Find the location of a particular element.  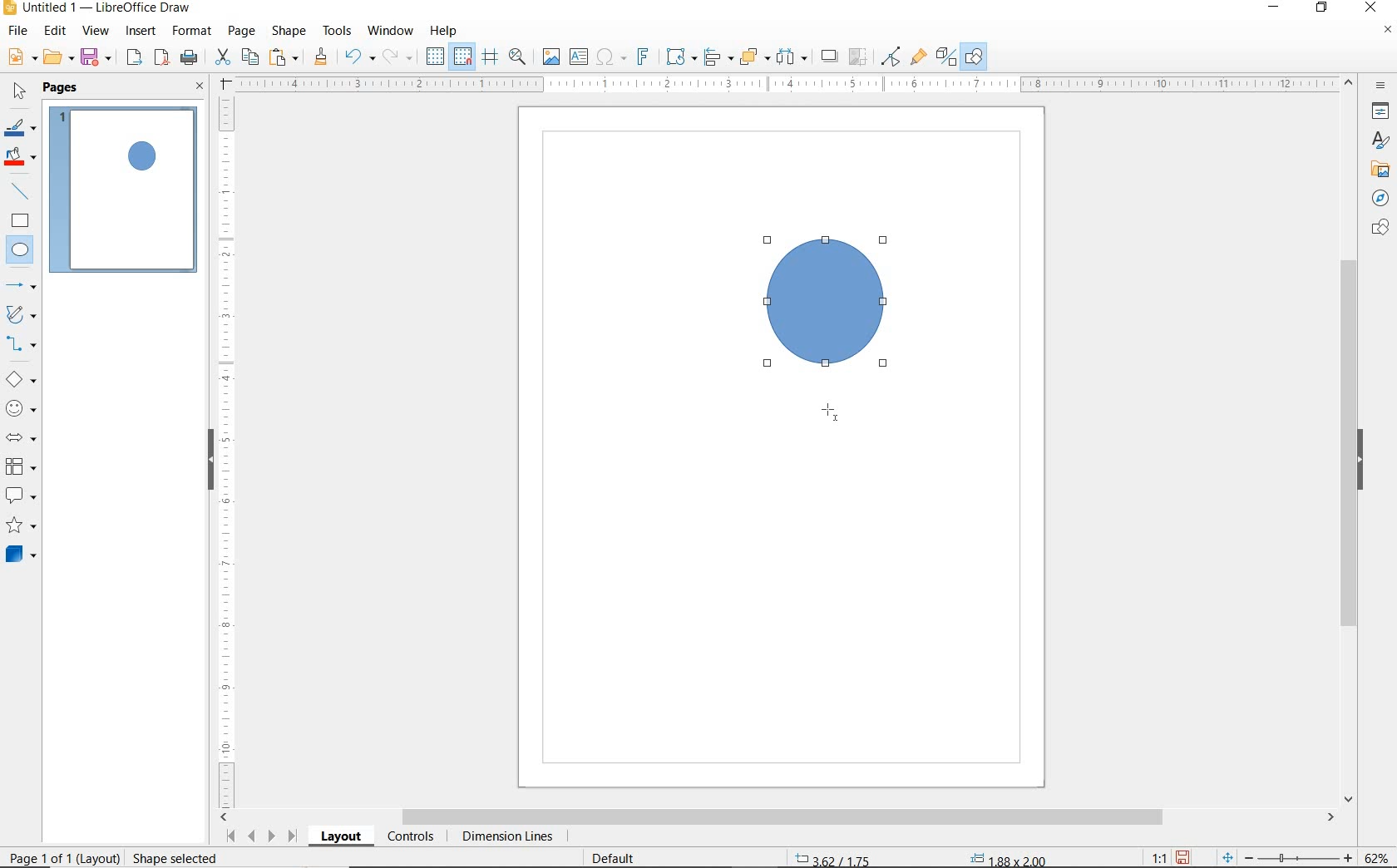

EXPORT is located at coordinates (135, 58).